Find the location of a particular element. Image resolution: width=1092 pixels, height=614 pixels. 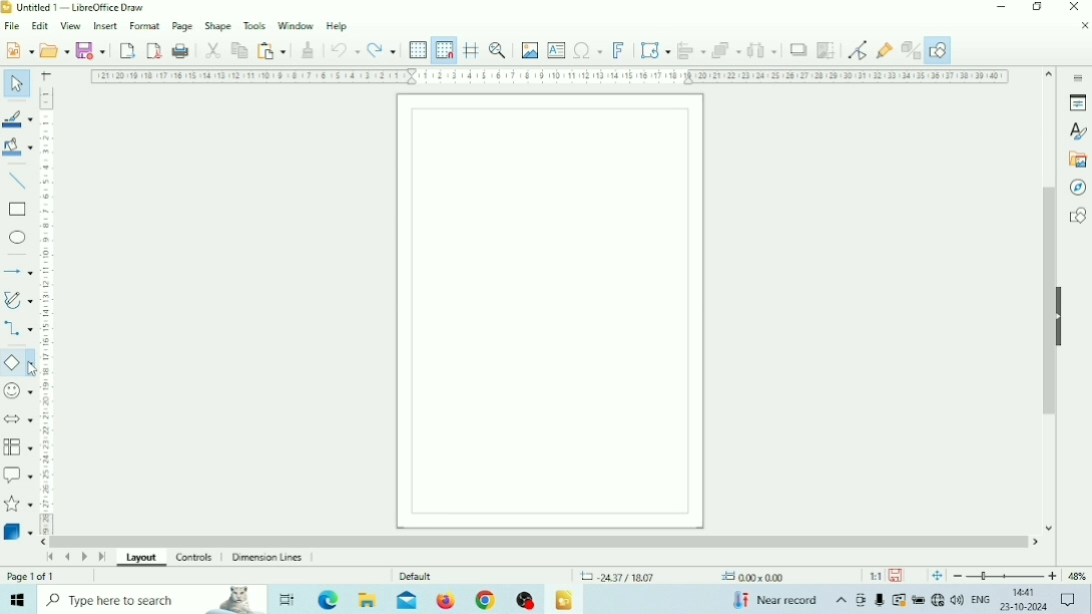

Vertical scale is located at coordinates (46, 310).